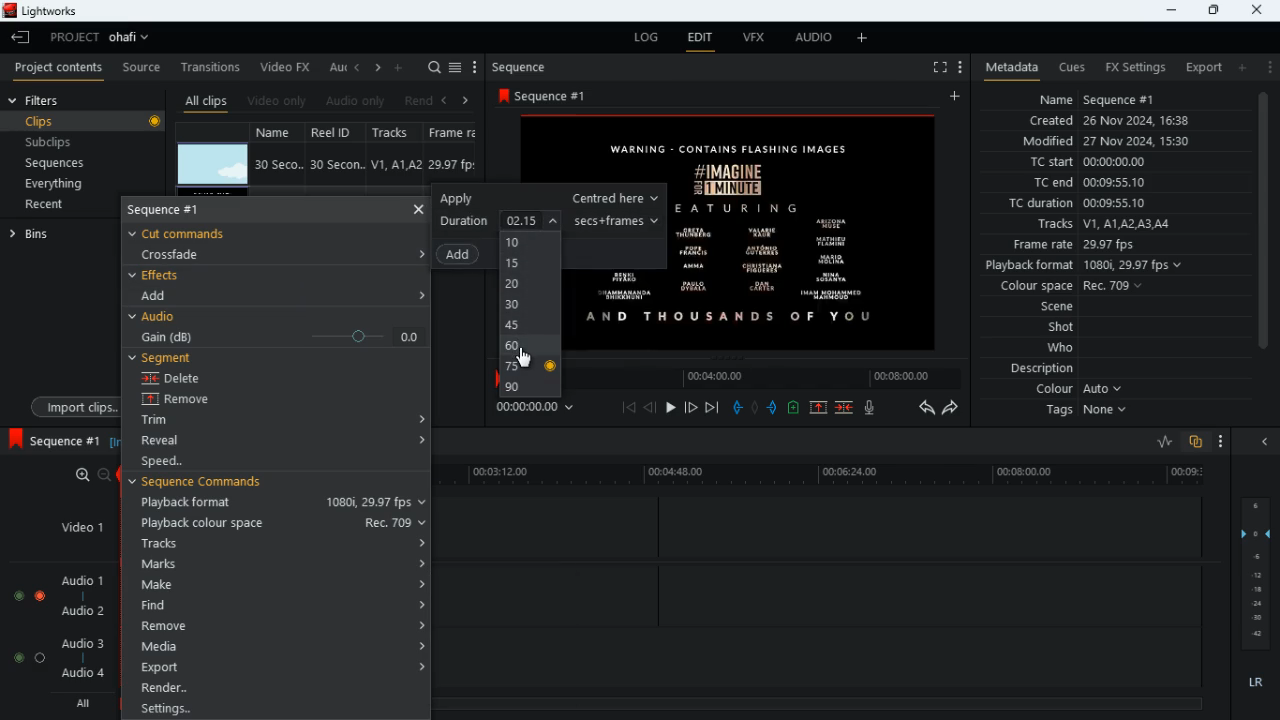  What do you see at coordinates (1262, 231) in the screenshot?
I see `scroll` at bounding box center [1262, 231].